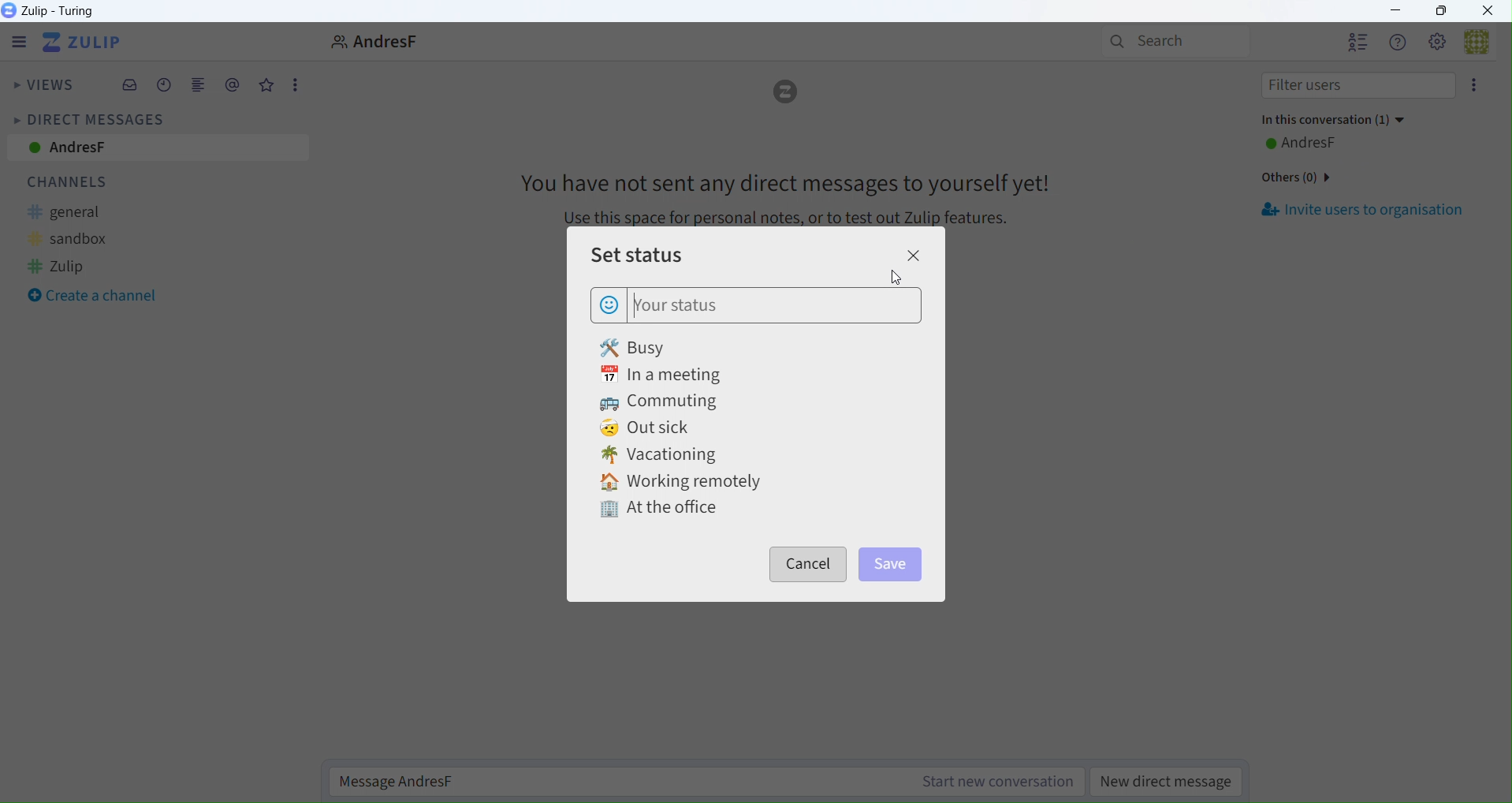 This screenshot has width=1512, height=803. I want to click on Invite Users to Organization, so click(1367, 211).